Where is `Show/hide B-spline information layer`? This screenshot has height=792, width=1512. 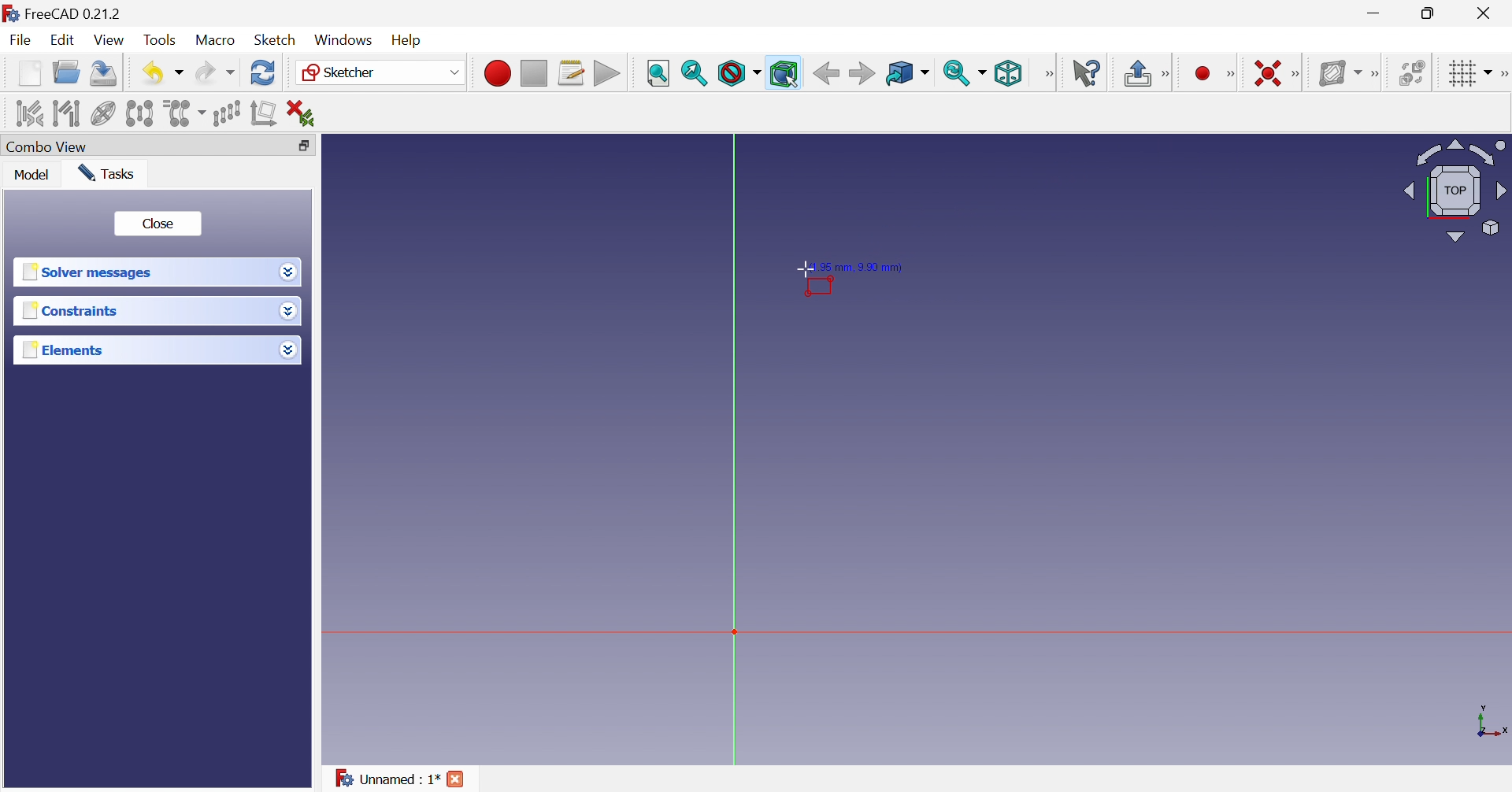 Show/hide B-spline information layer is located at coordinates (1339, 73).